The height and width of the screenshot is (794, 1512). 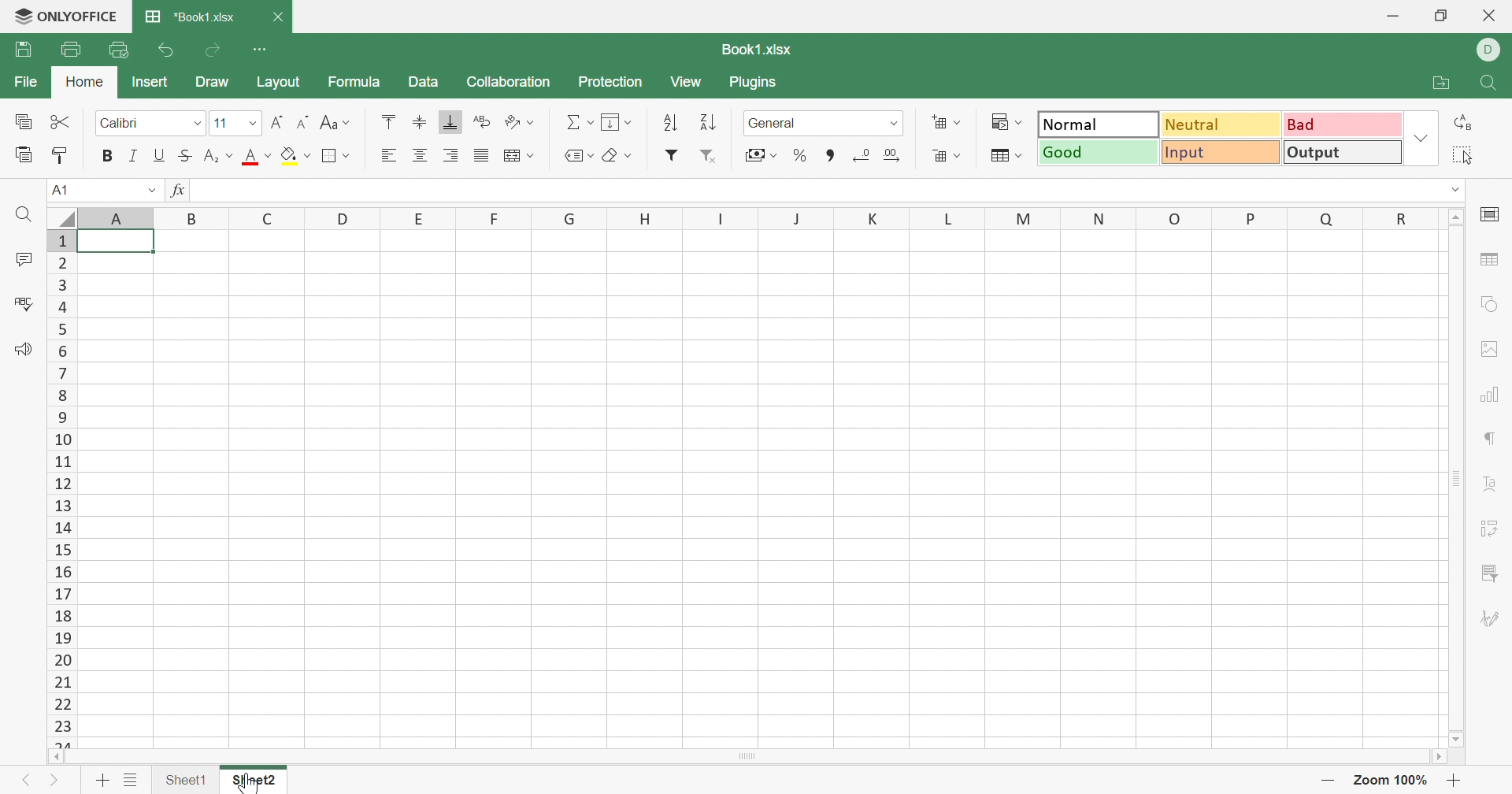 I want to click on Drop own, so click(x=591, y=155).